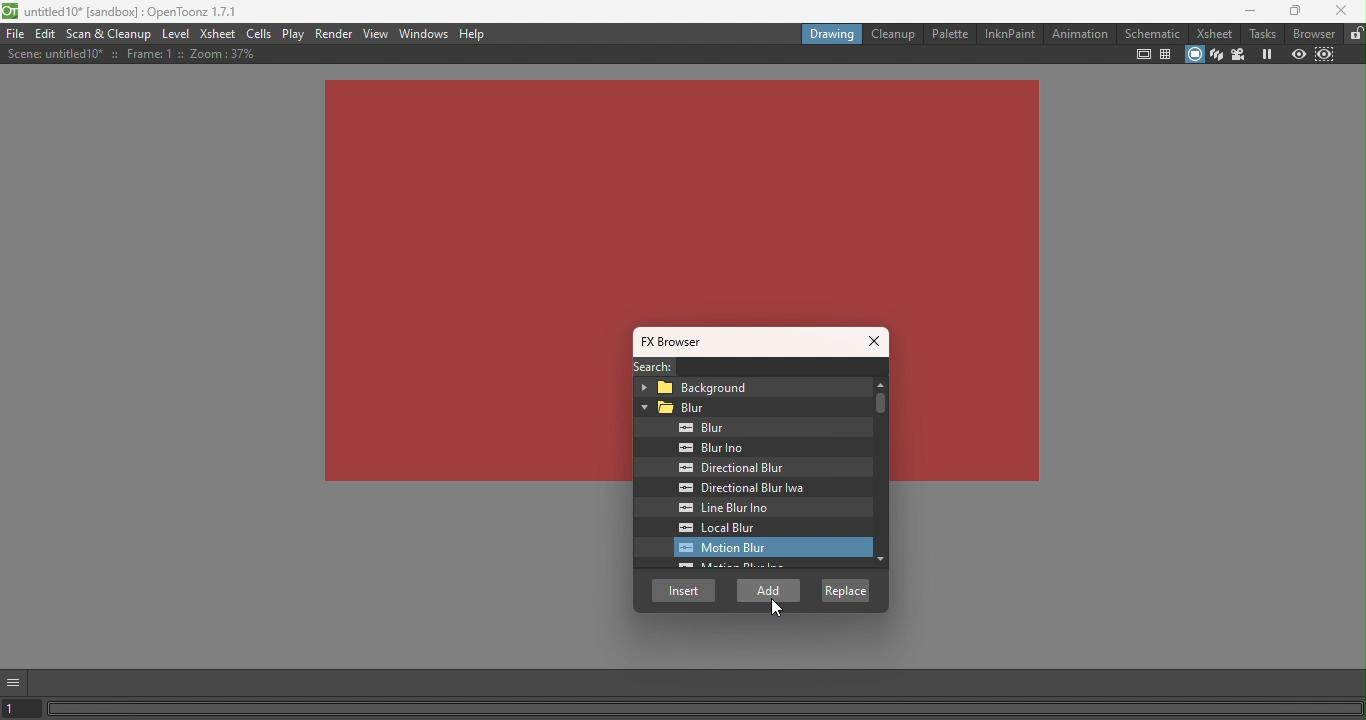 The image size is (1366, 720). I want to click on Insert, so click(684, 590).